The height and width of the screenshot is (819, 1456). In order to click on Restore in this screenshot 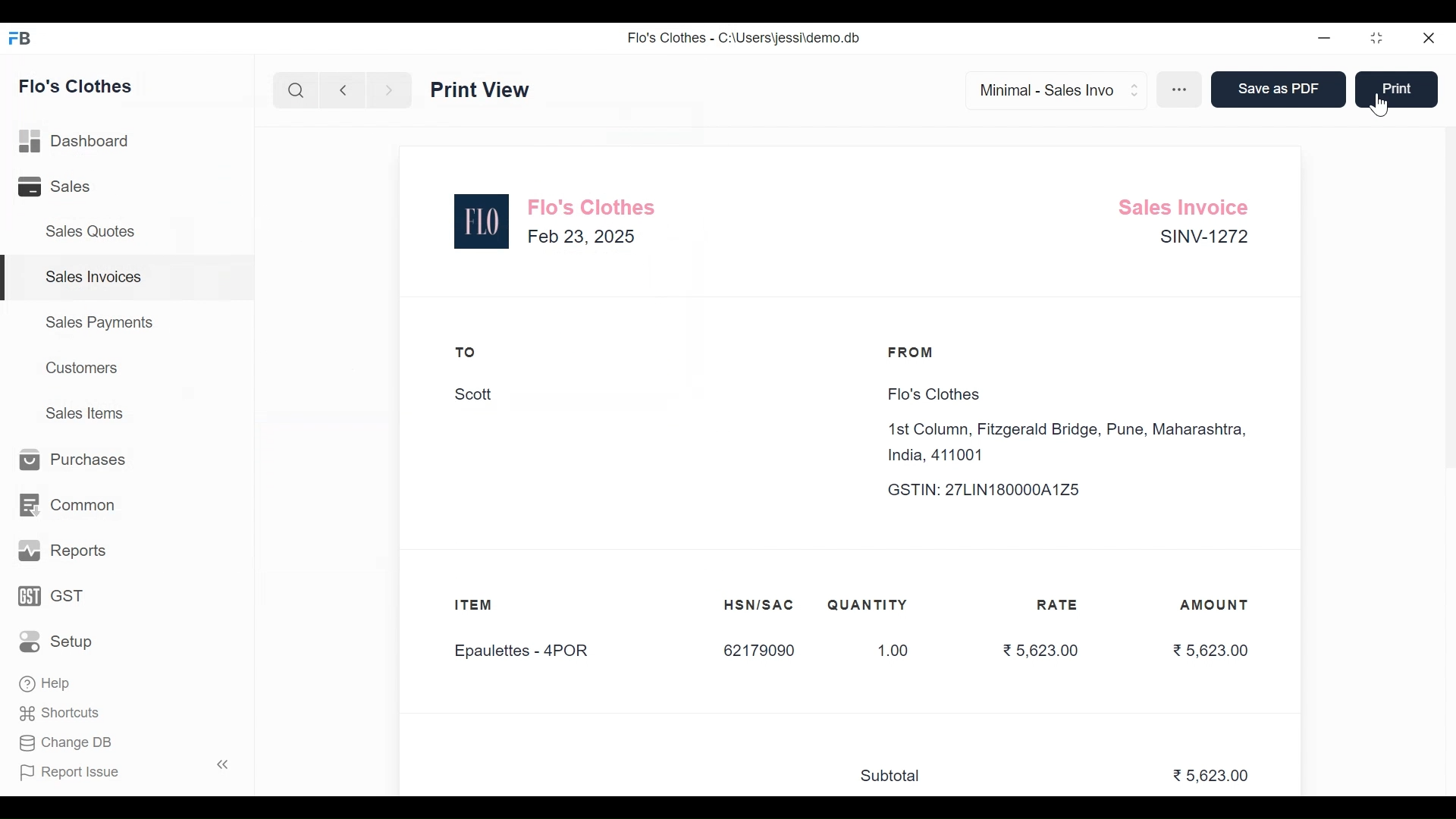, I will do `click(1379, 39)`.